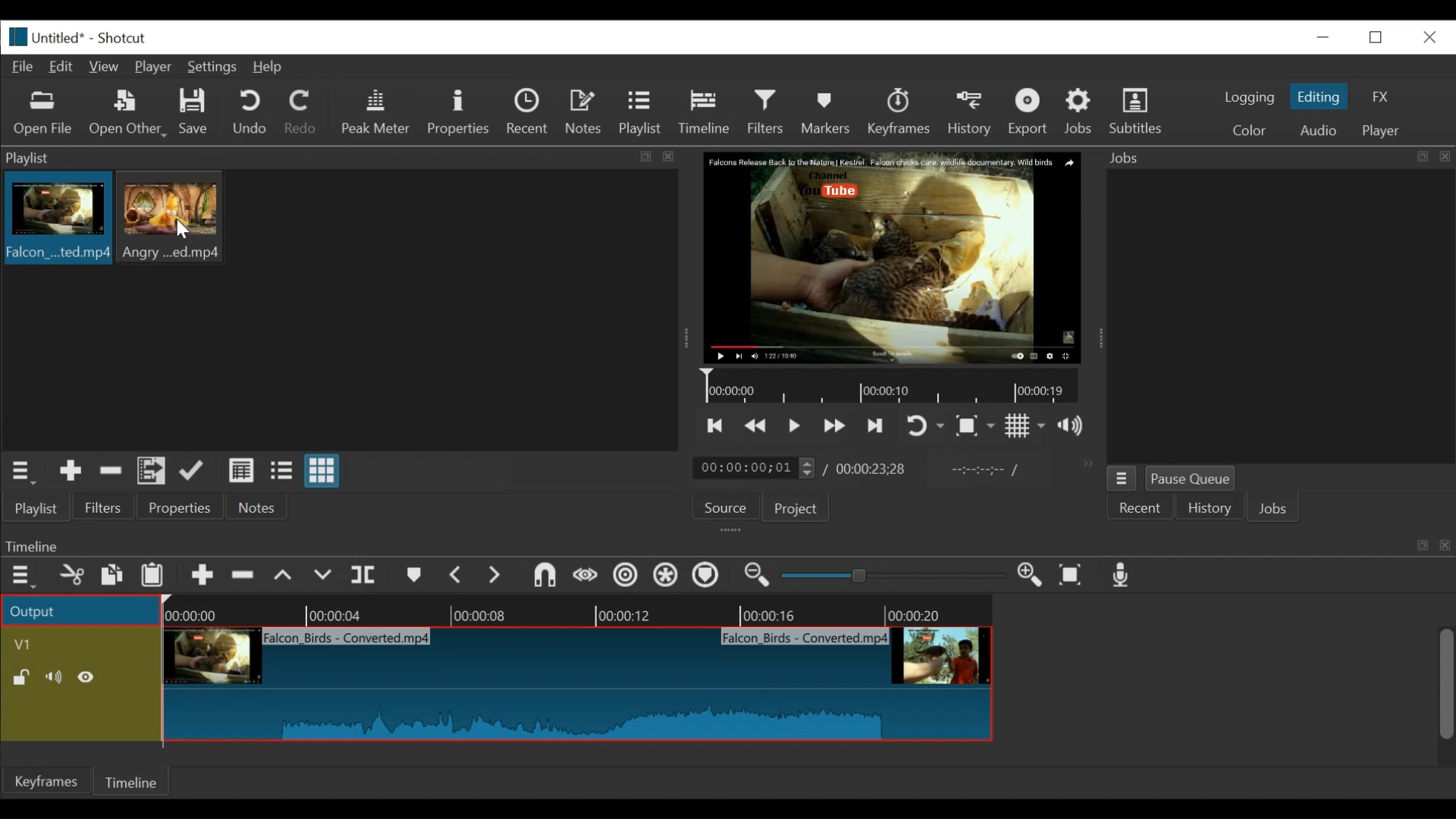 Image resolution: width=1456 pixels, height=819 pixels. Describe the element at coordinates (755, 577) in the screenshot. I see `Zoom timeline in` at that location.